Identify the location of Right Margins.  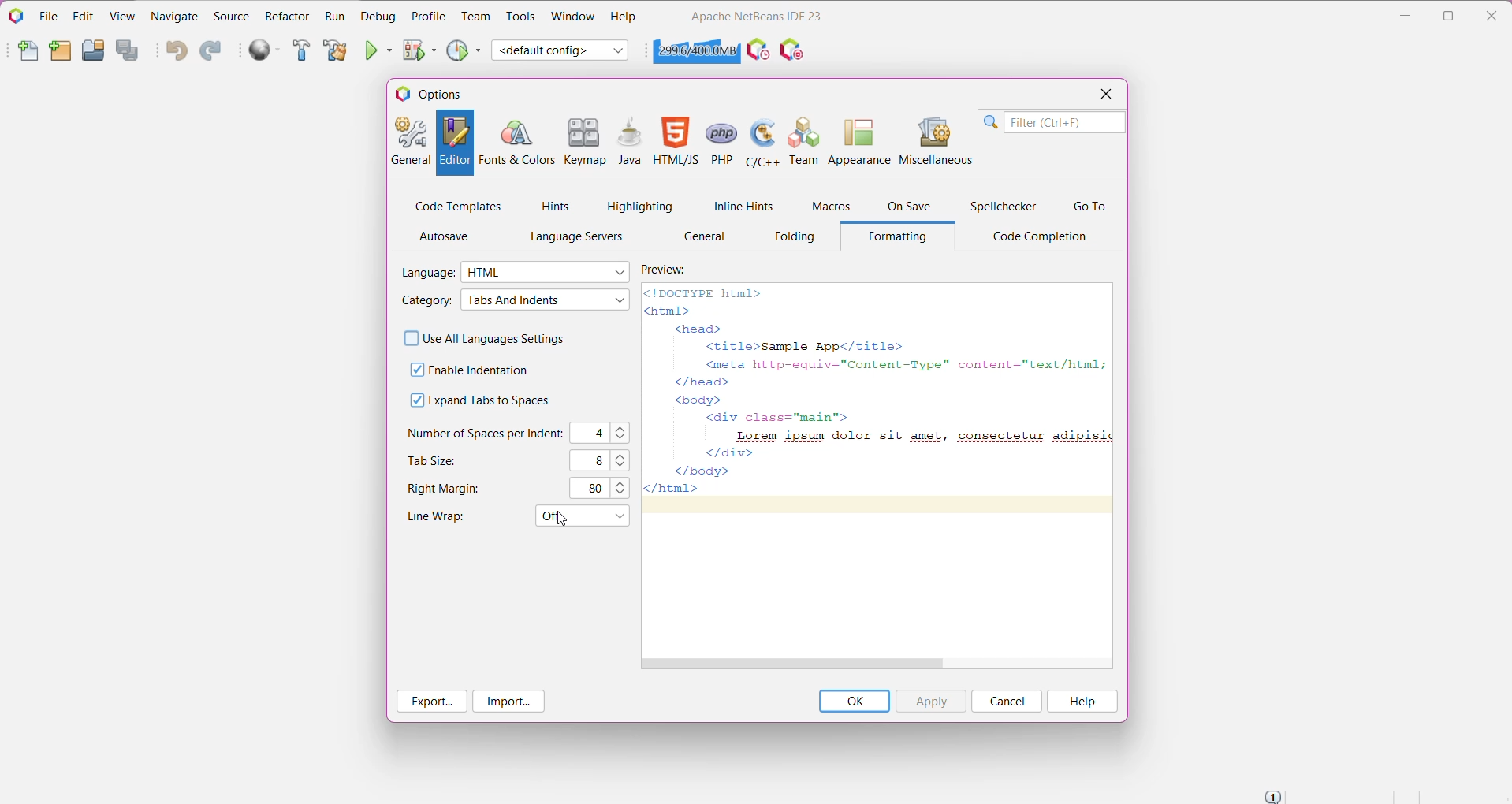
(449, 489).